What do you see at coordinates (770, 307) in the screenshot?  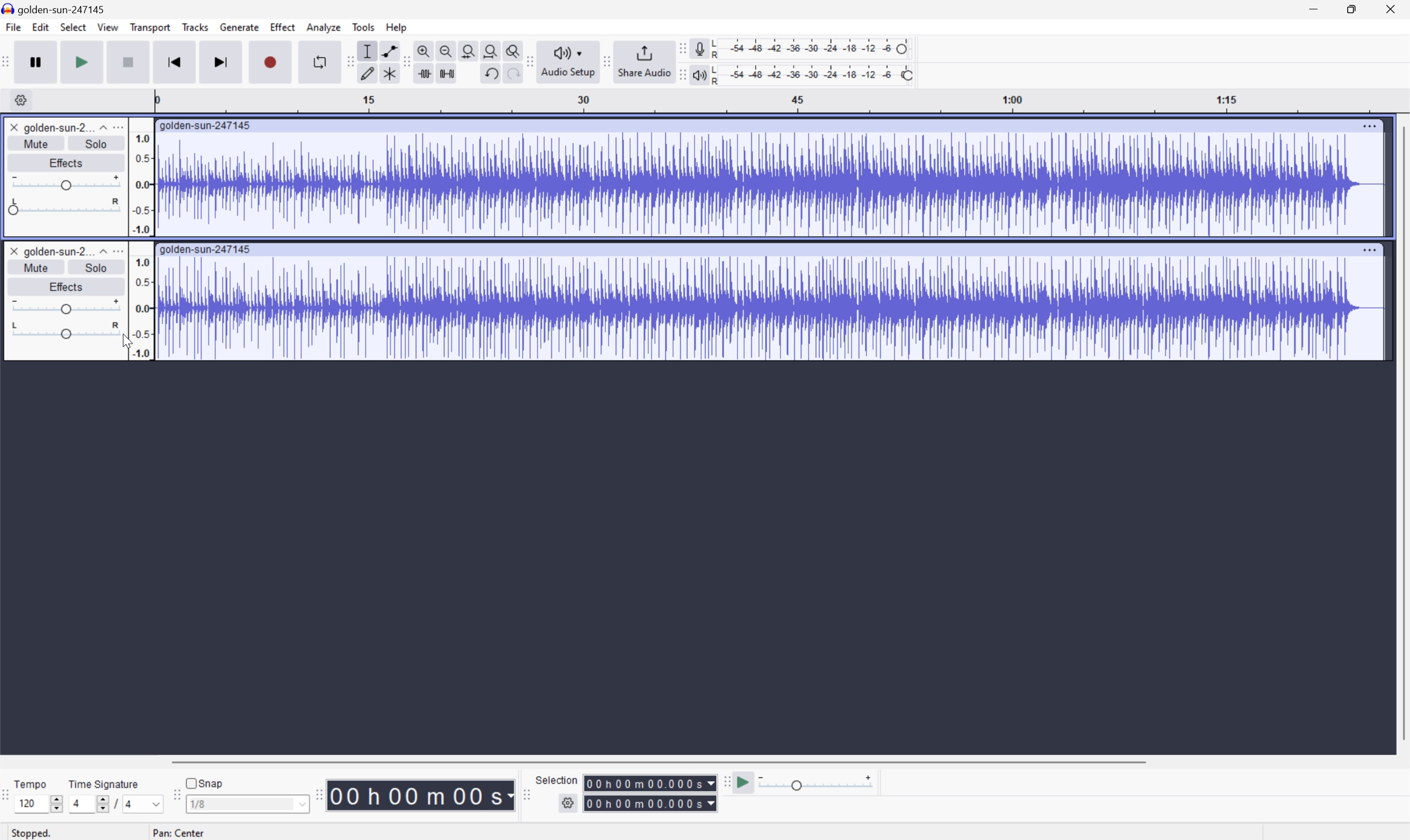 I see `Audio` at bounding box center [770, 307].